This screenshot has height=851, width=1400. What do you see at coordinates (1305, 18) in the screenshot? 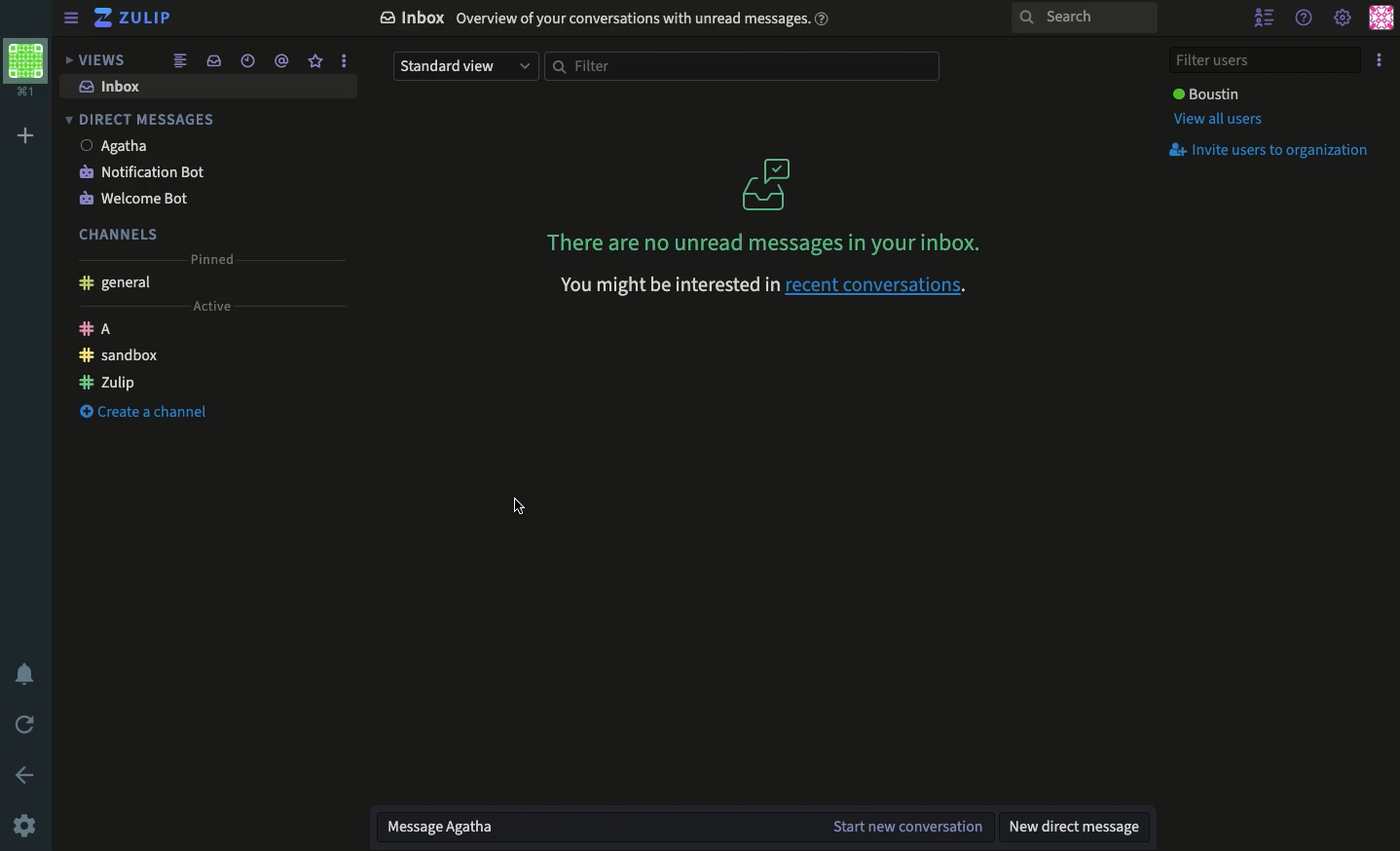
I see `Help` at bounding box center [1305, 18].